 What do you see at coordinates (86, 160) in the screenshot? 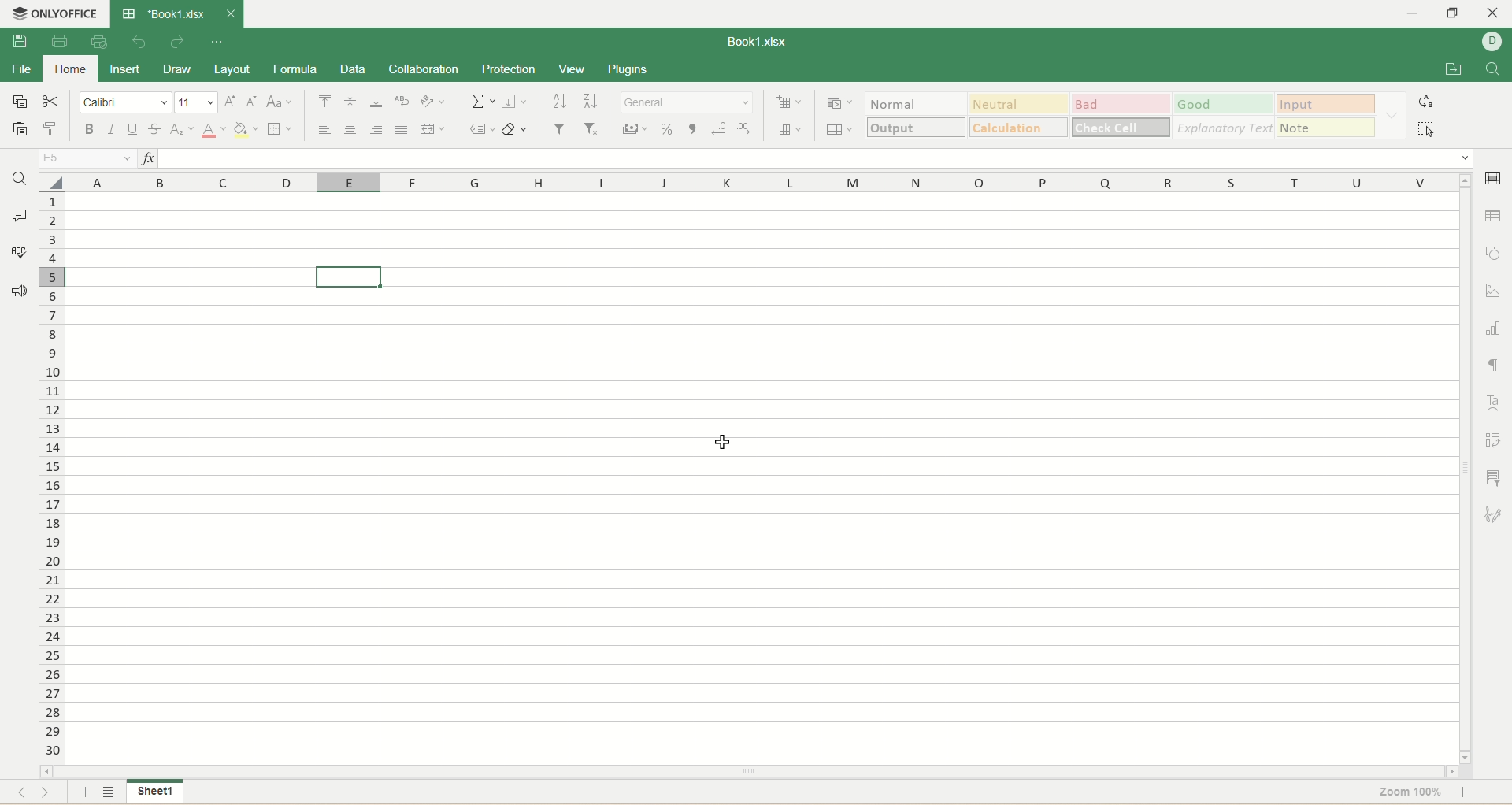
I see `E5` at bounding box center [86, 160].